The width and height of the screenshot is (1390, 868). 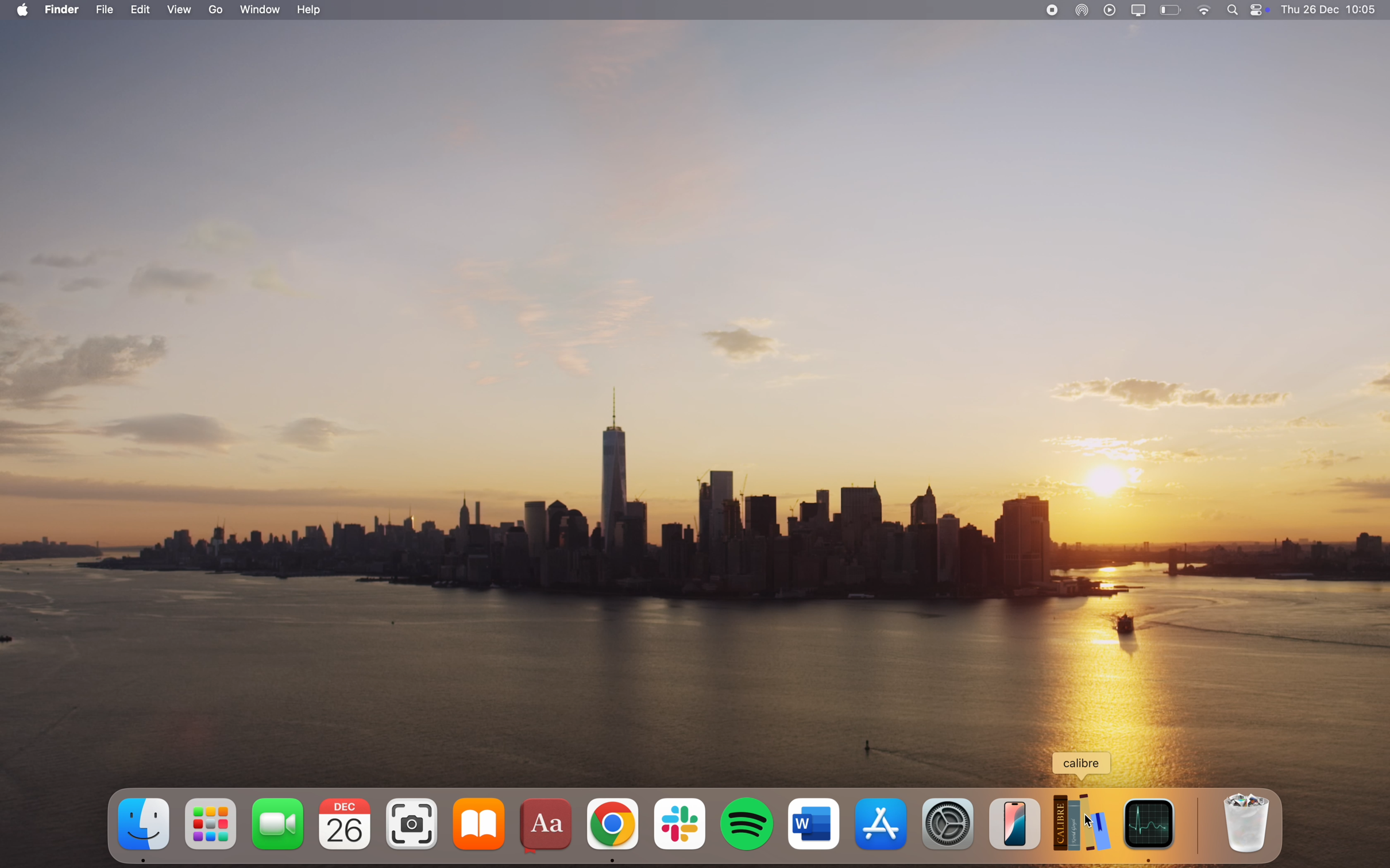 What do you see at coordinates (261, 10) in the screenshot?
I see `window` at bounding box center [261, 10].